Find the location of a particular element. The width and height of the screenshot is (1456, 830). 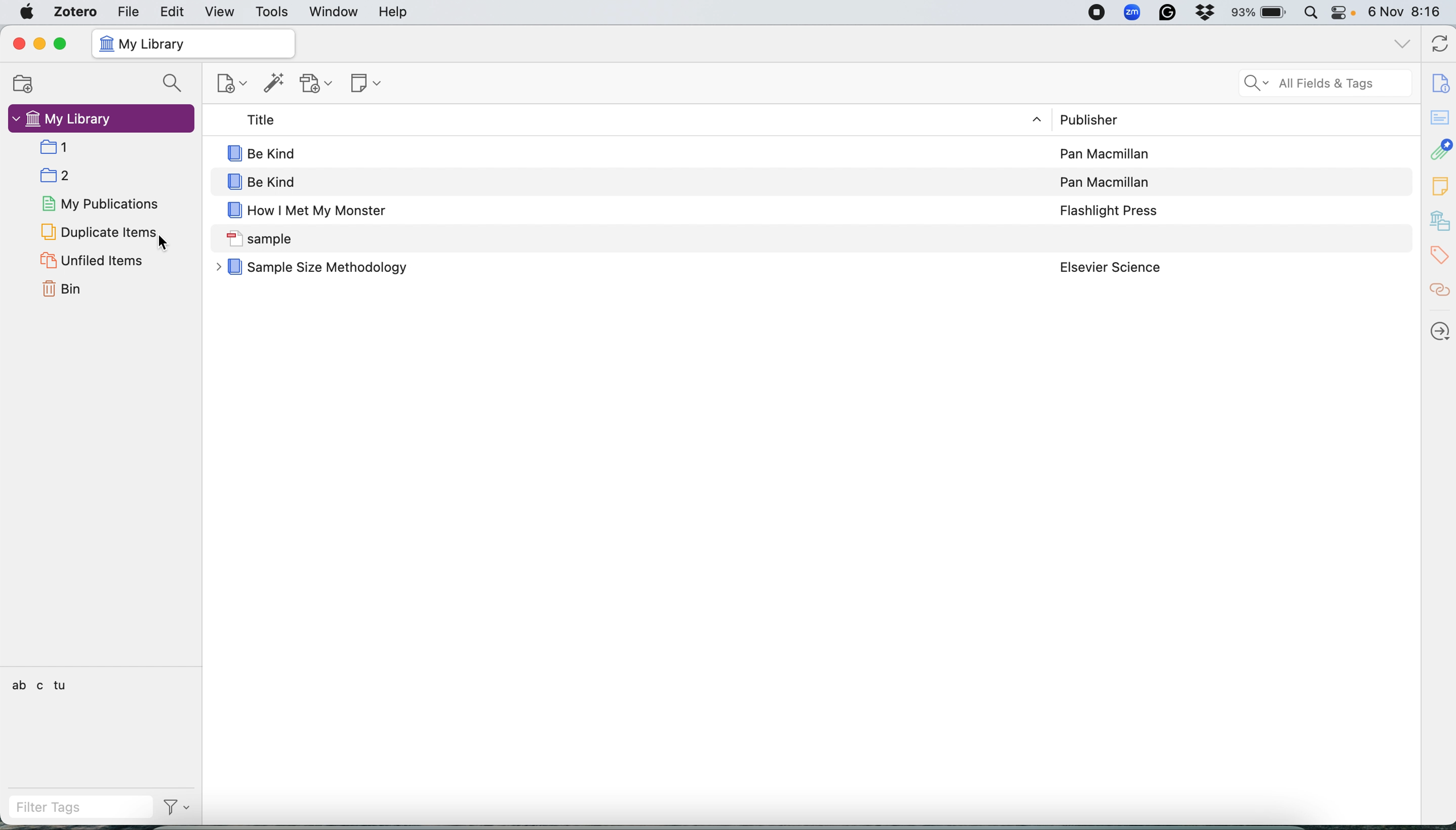

note is located at coordinates (1439, 186).